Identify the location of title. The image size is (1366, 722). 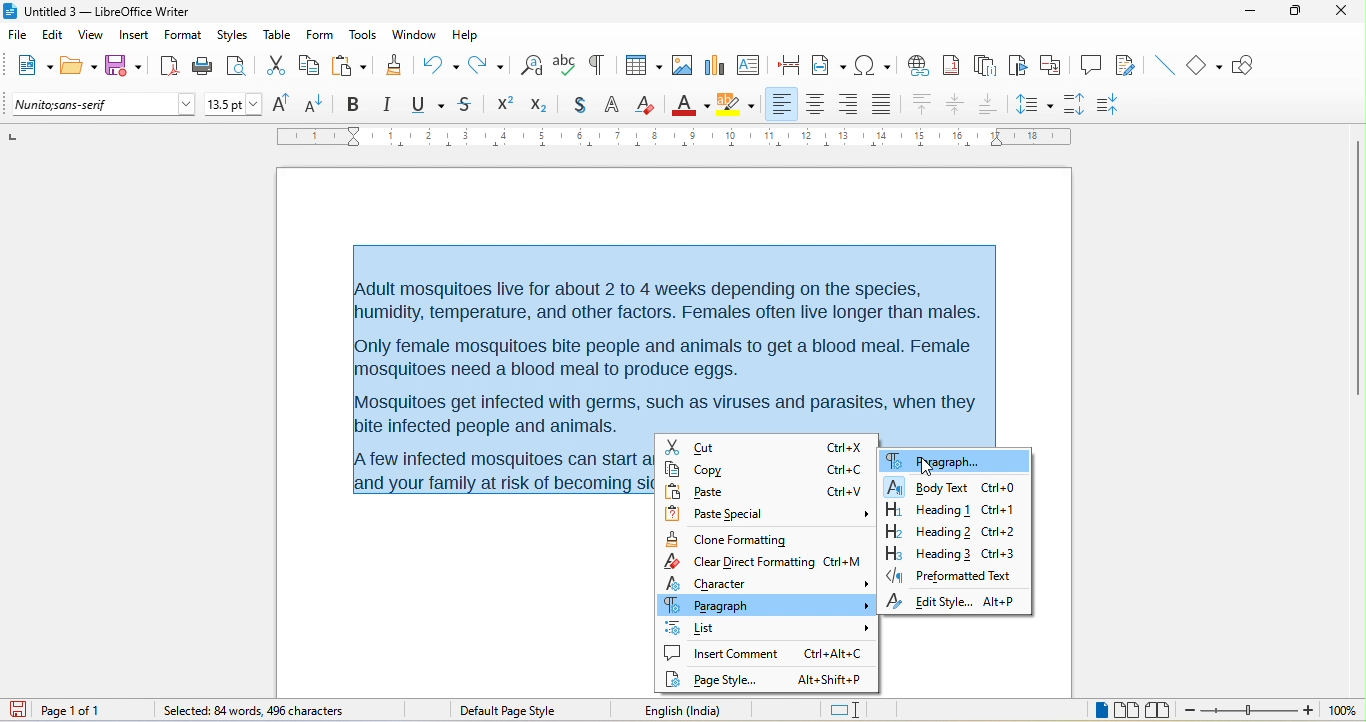
(97, 12).